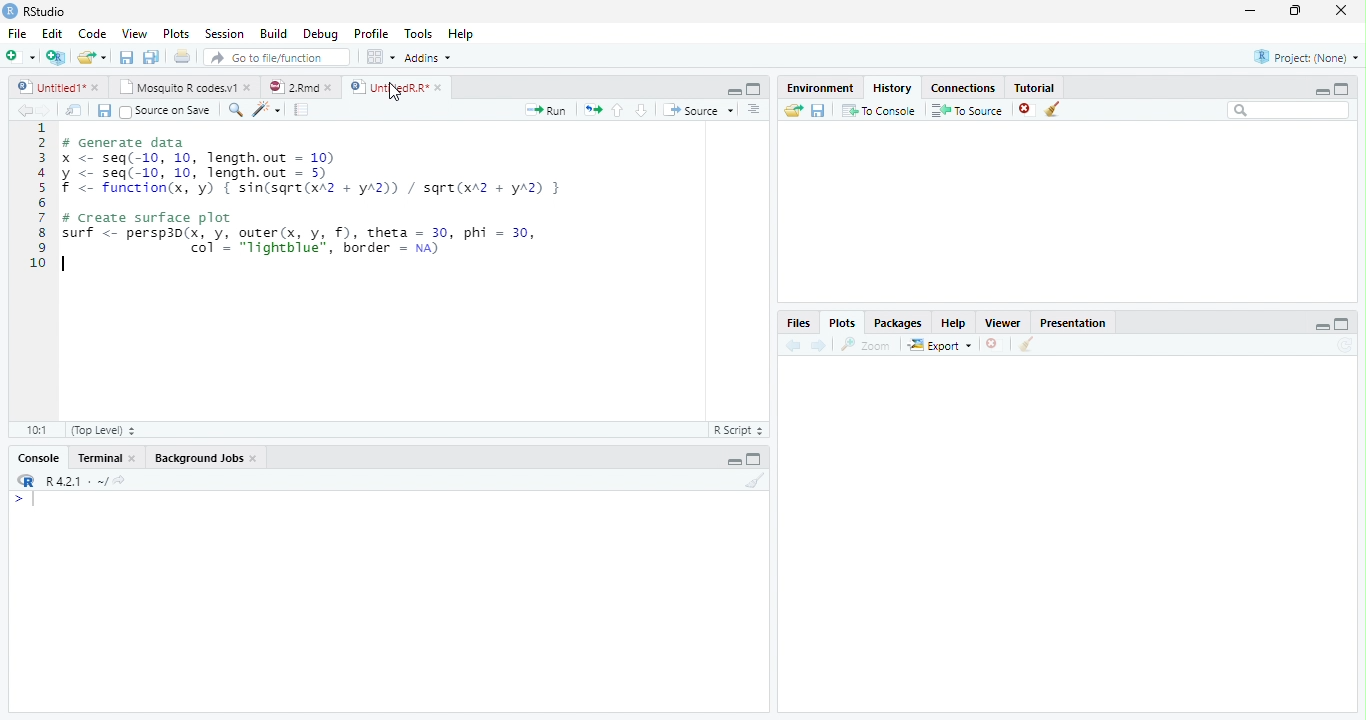 Image resolution: width=1366 pixels, height=720 pixels. I want to click on # Generate data

x <- seq(-10, 10, length.out = 10)

y <- seq(-10, 10, length.out - 5)

f <- function(x, 'y) { sin(sqre(xA2 + yA2)) / sqre(xr2 + yA2) }
# Create surface plot

surf <- persp3d(x, y, outer(x, y, f), theta = 30, phi = 30,

| col’ = "lightblue", border = na), so click(317, 204).